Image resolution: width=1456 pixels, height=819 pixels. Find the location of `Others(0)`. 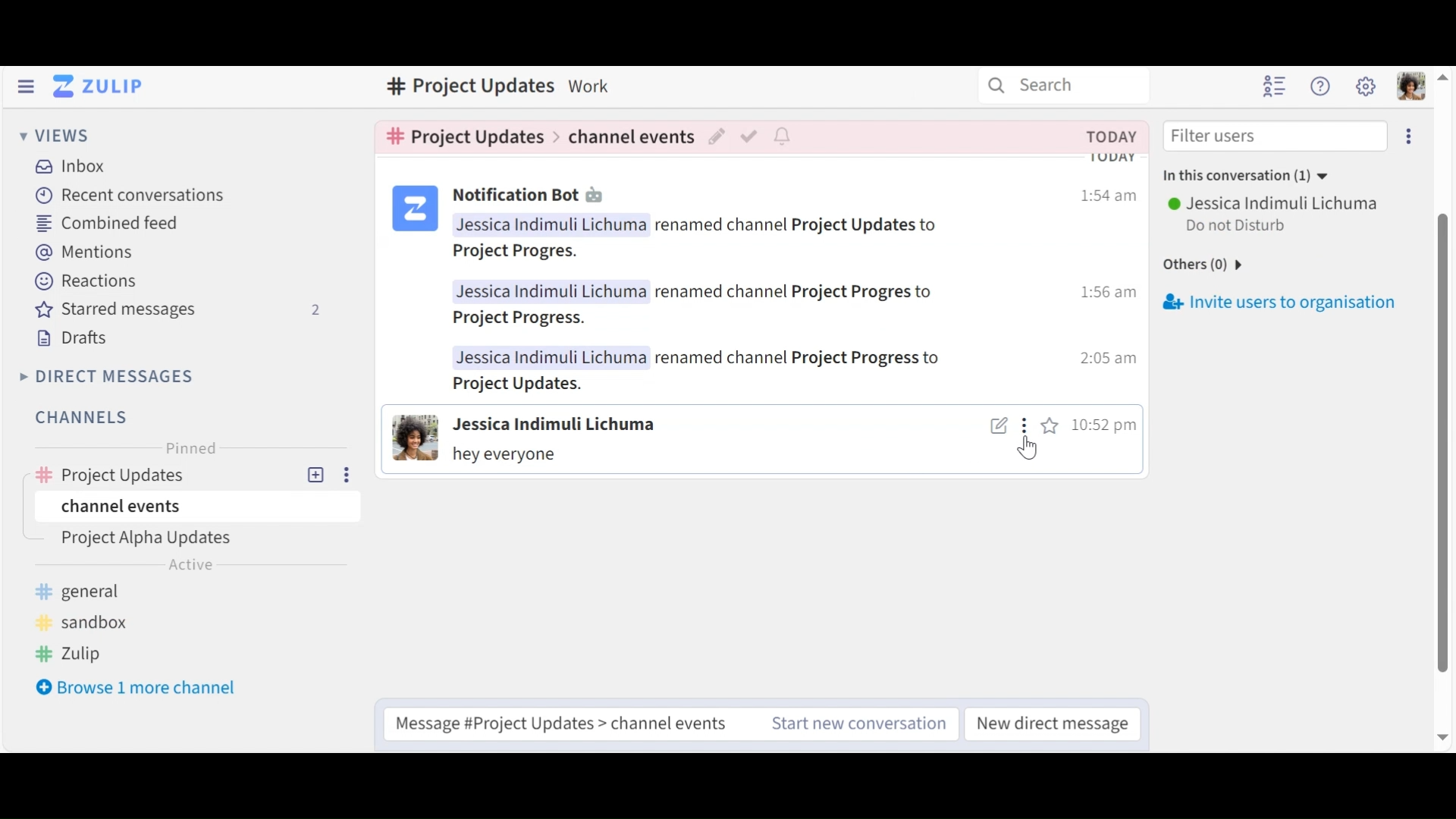

Others(0) is located at coordinates (1218, 265).